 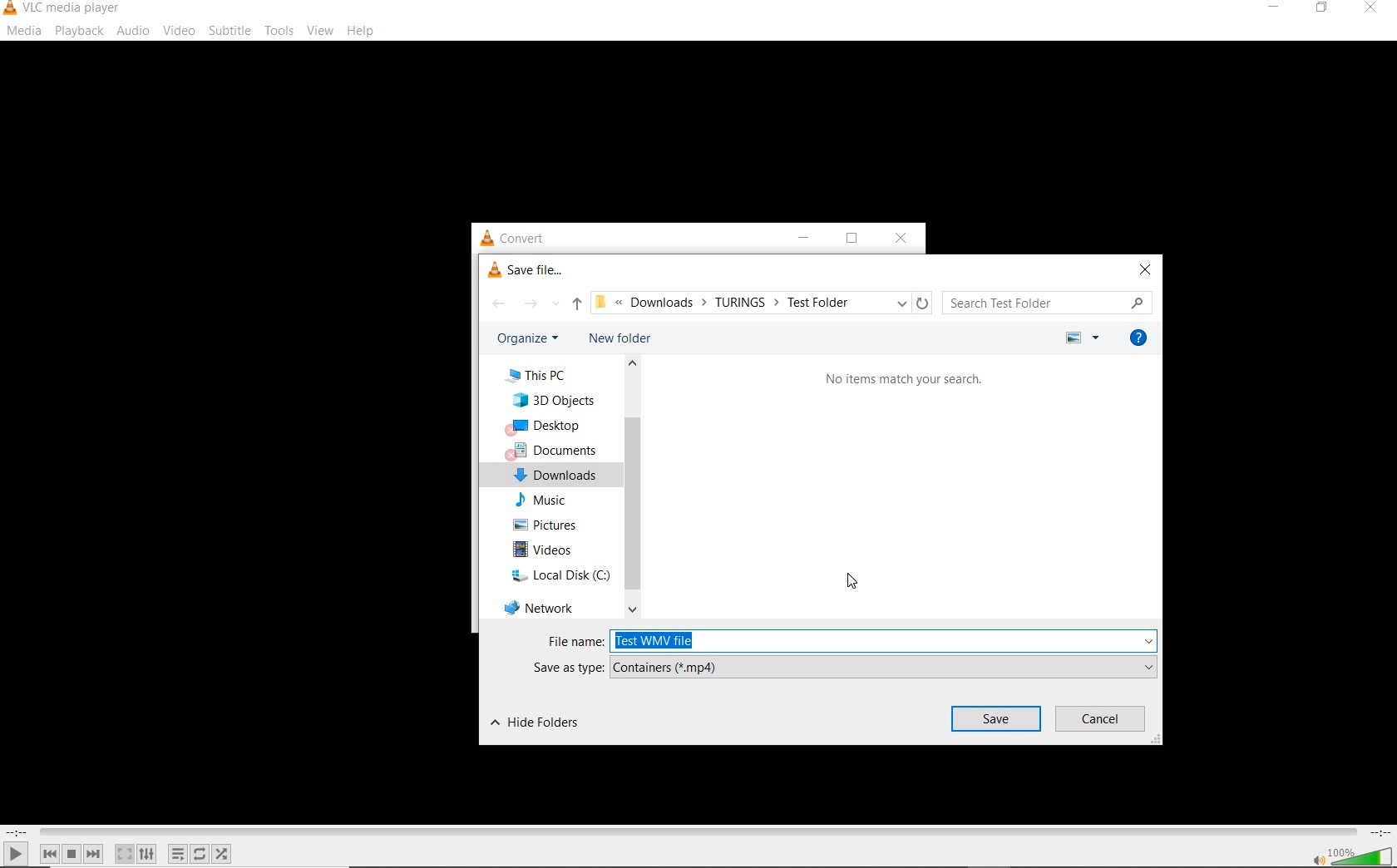 I want to click on documents, so click(x=553, y=450).